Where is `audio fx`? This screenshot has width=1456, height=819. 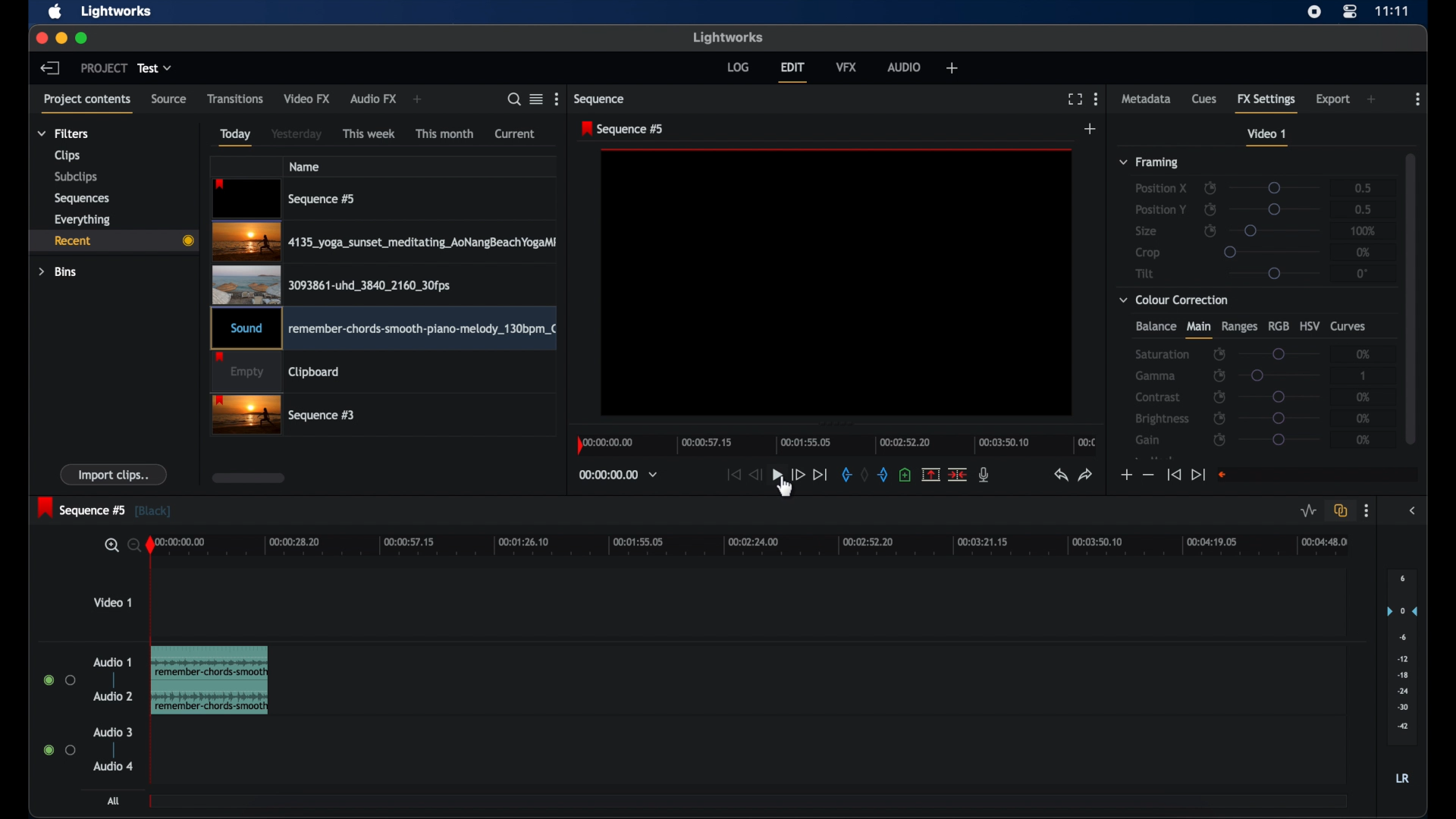
audio fx is located at coordinates (374, 99).